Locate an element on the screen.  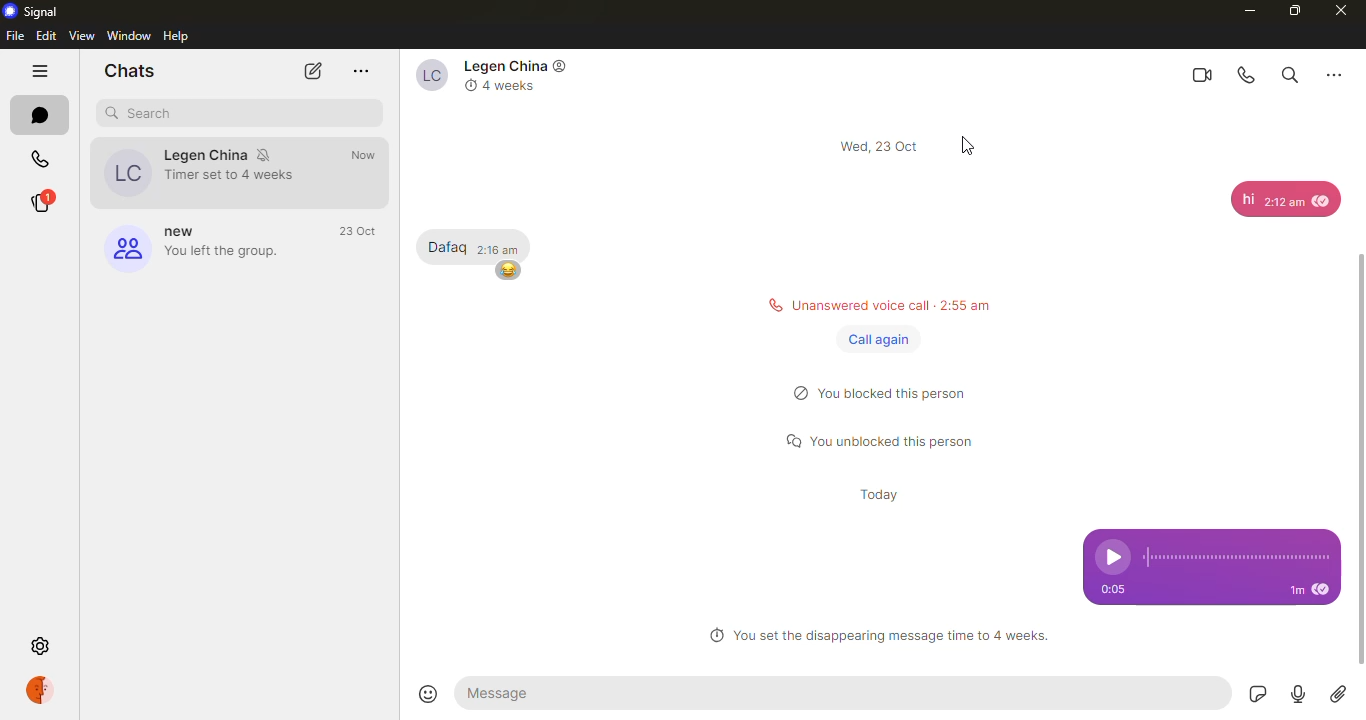
stories is located at coordinates (51, 202).